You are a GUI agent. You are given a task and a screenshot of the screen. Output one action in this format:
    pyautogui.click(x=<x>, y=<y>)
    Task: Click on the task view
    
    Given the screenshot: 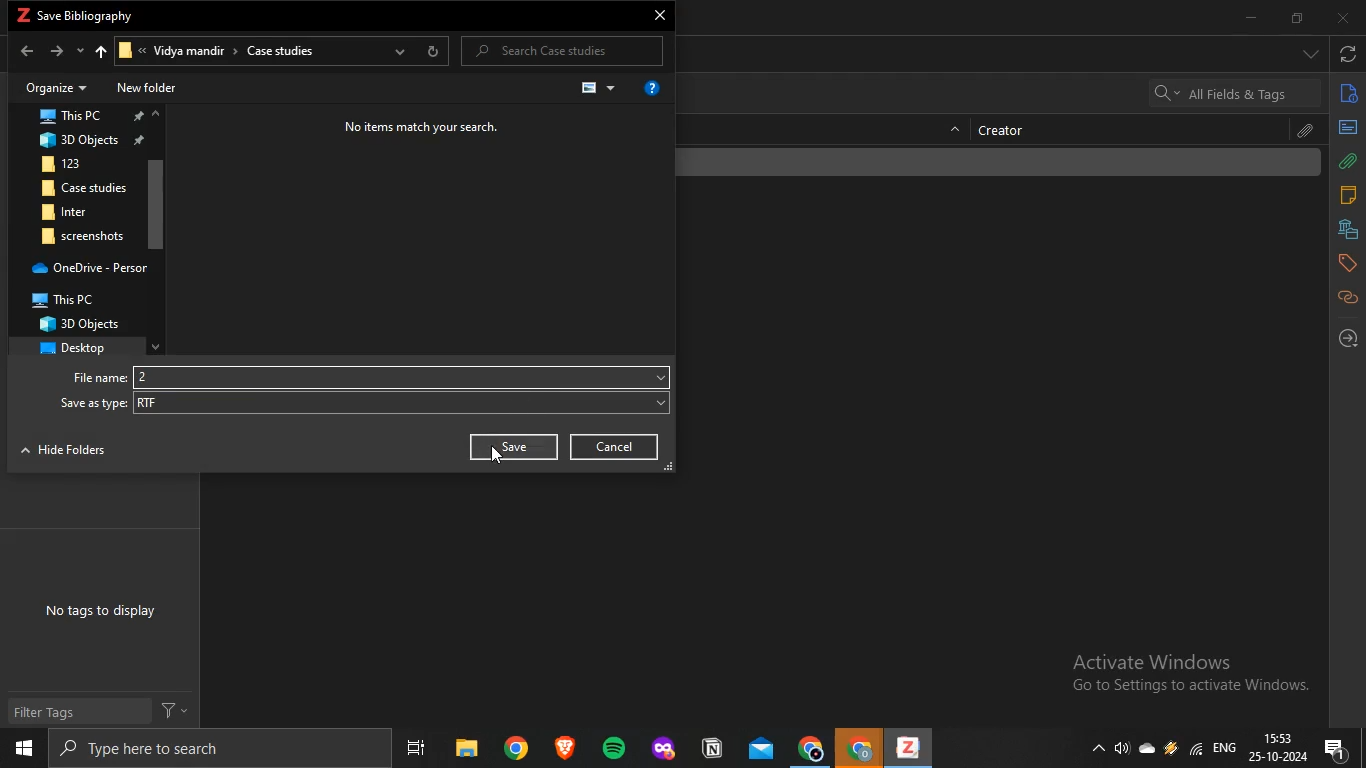 What is the action you would take?
    pyautogui.click(x=415, y=748)
    